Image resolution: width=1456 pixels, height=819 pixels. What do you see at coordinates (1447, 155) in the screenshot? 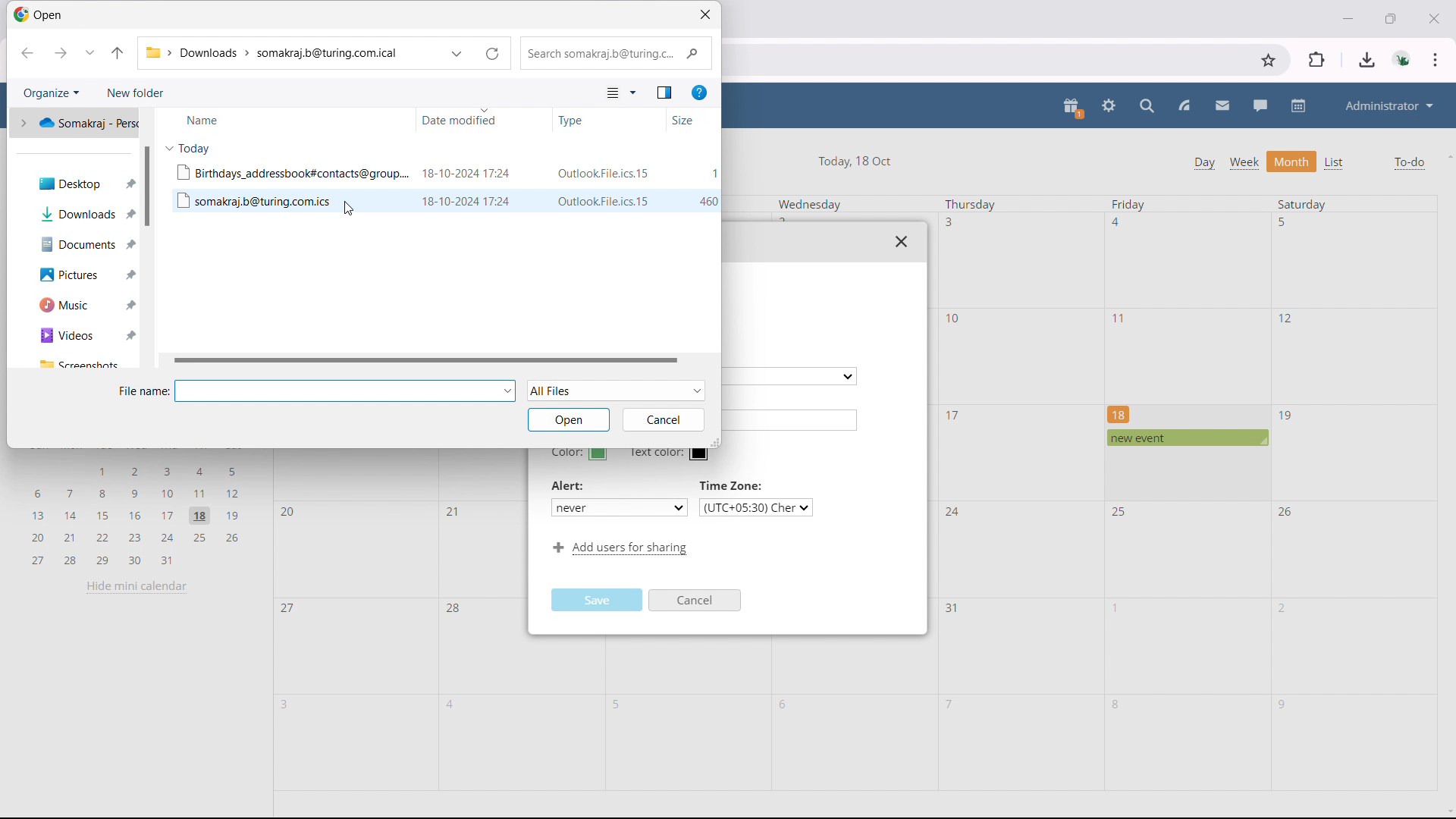
I see `scroll up` at bounding box center [1447, 155].